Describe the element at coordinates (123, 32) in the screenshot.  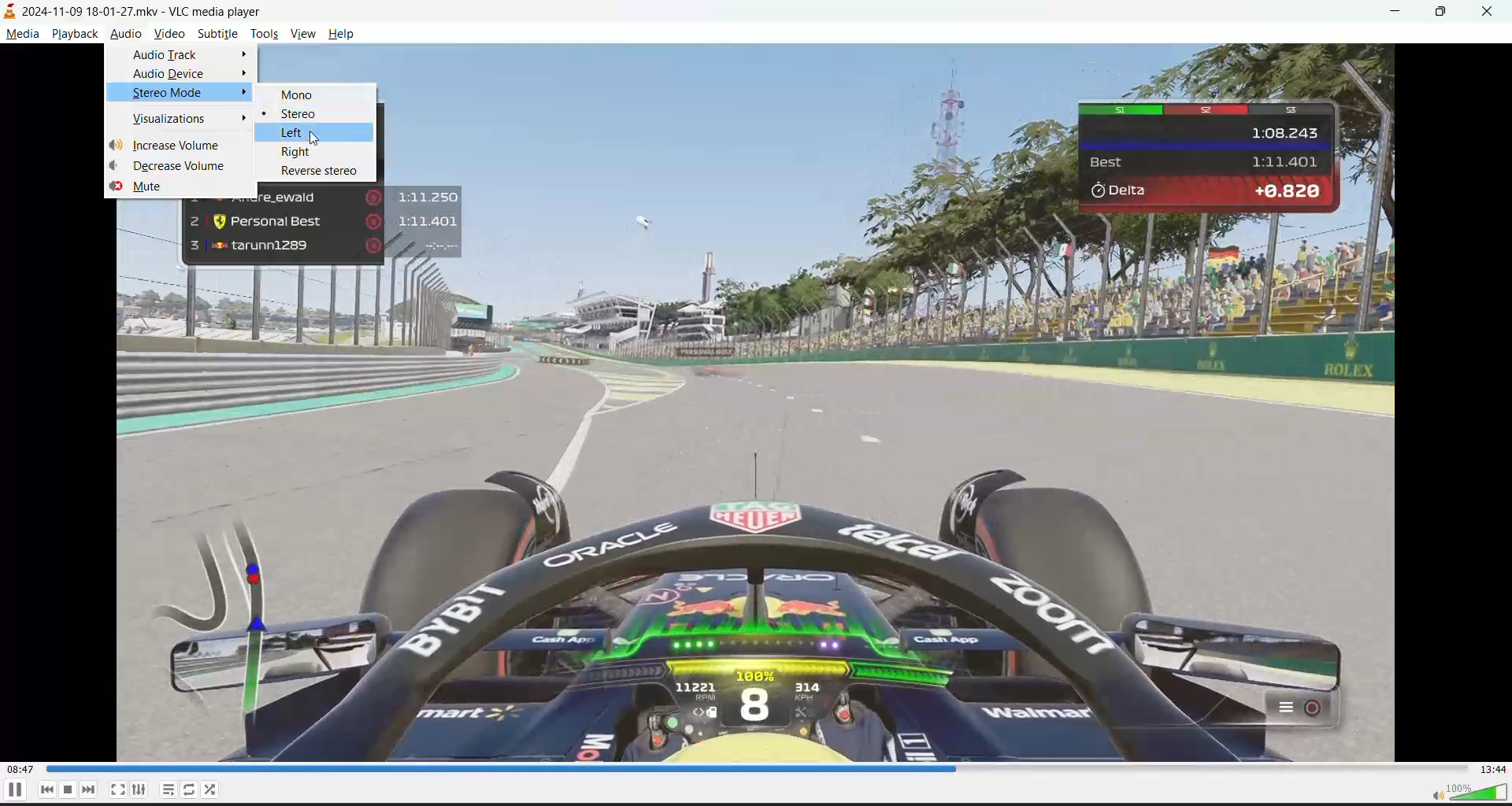
I see `audio` at that location.